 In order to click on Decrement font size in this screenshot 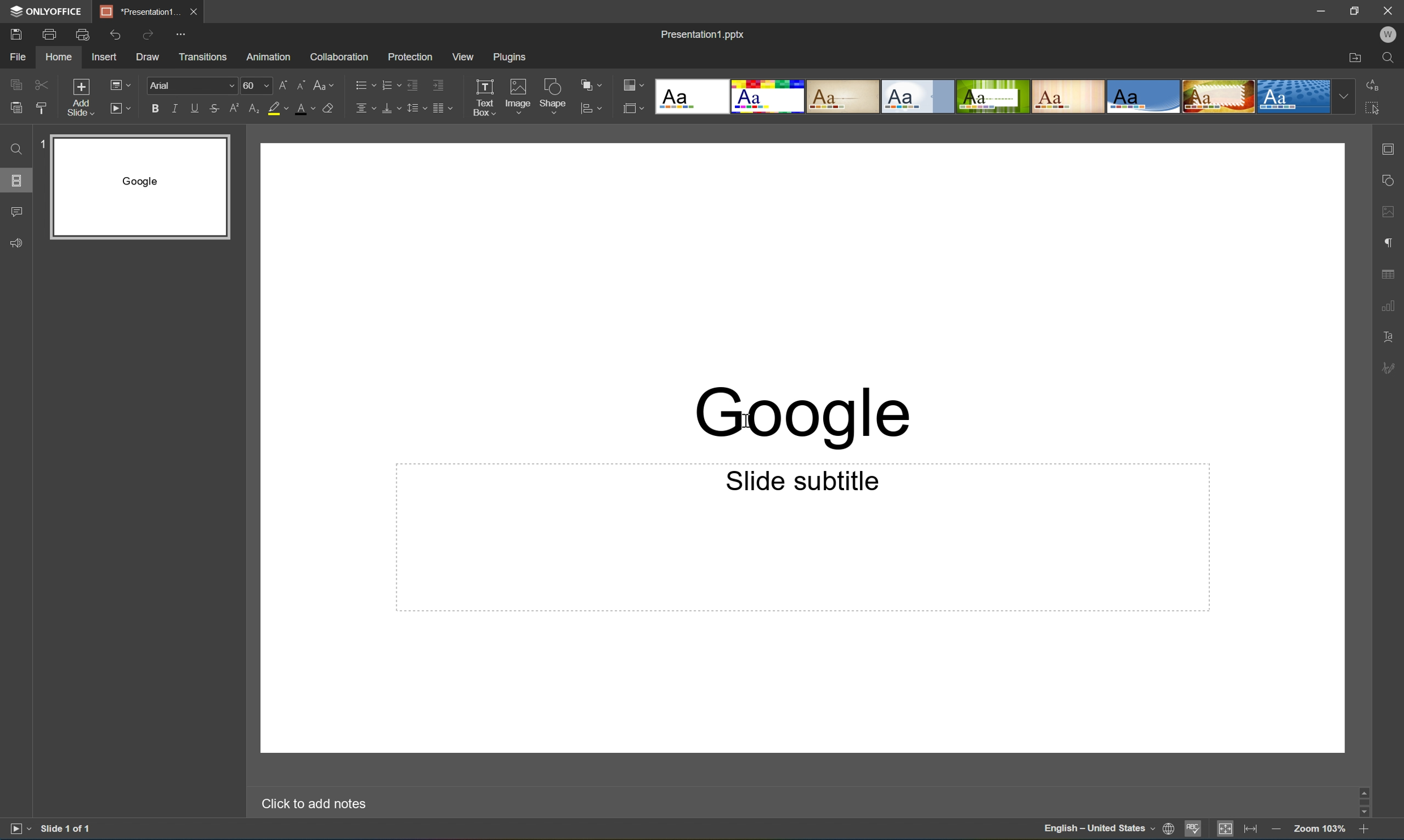, I will do `click(304, 85)`.